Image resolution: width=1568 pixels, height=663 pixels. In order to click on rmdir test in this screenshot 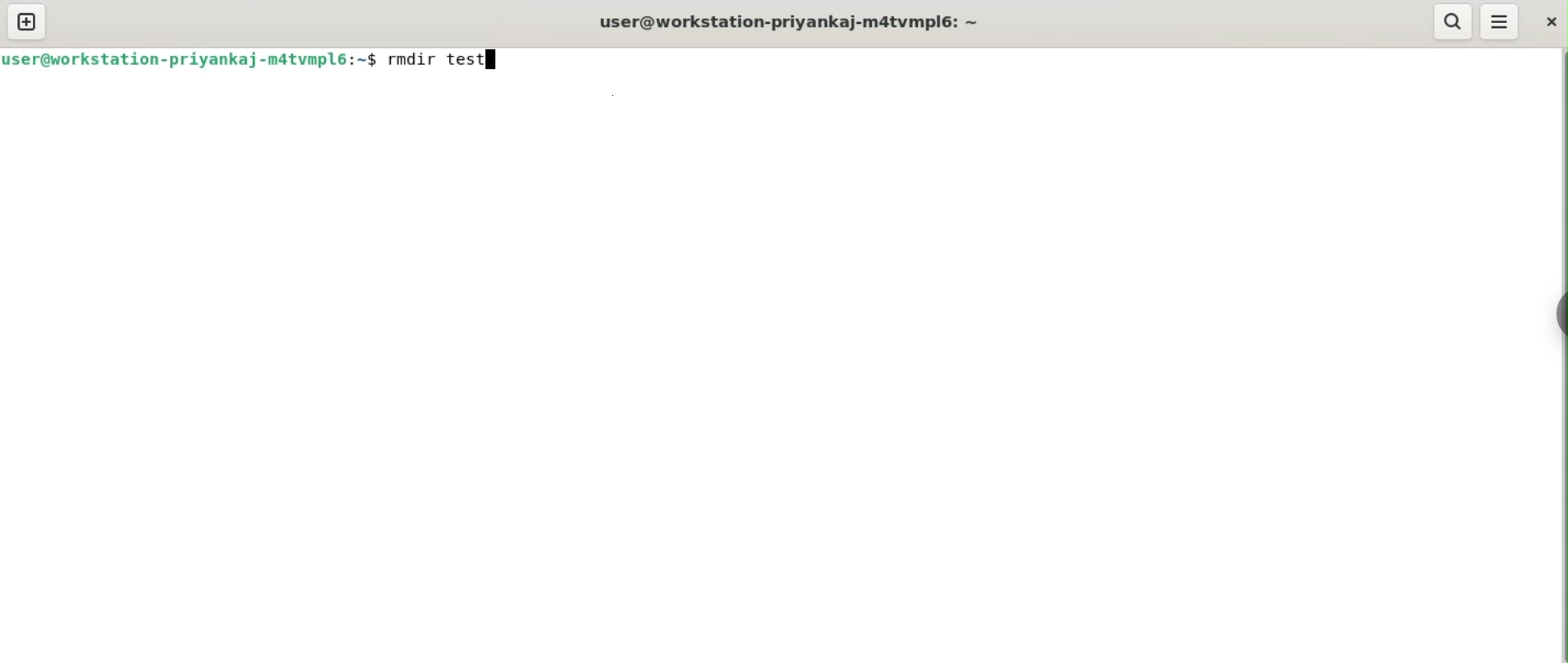, I will do `click(447, 59)`.